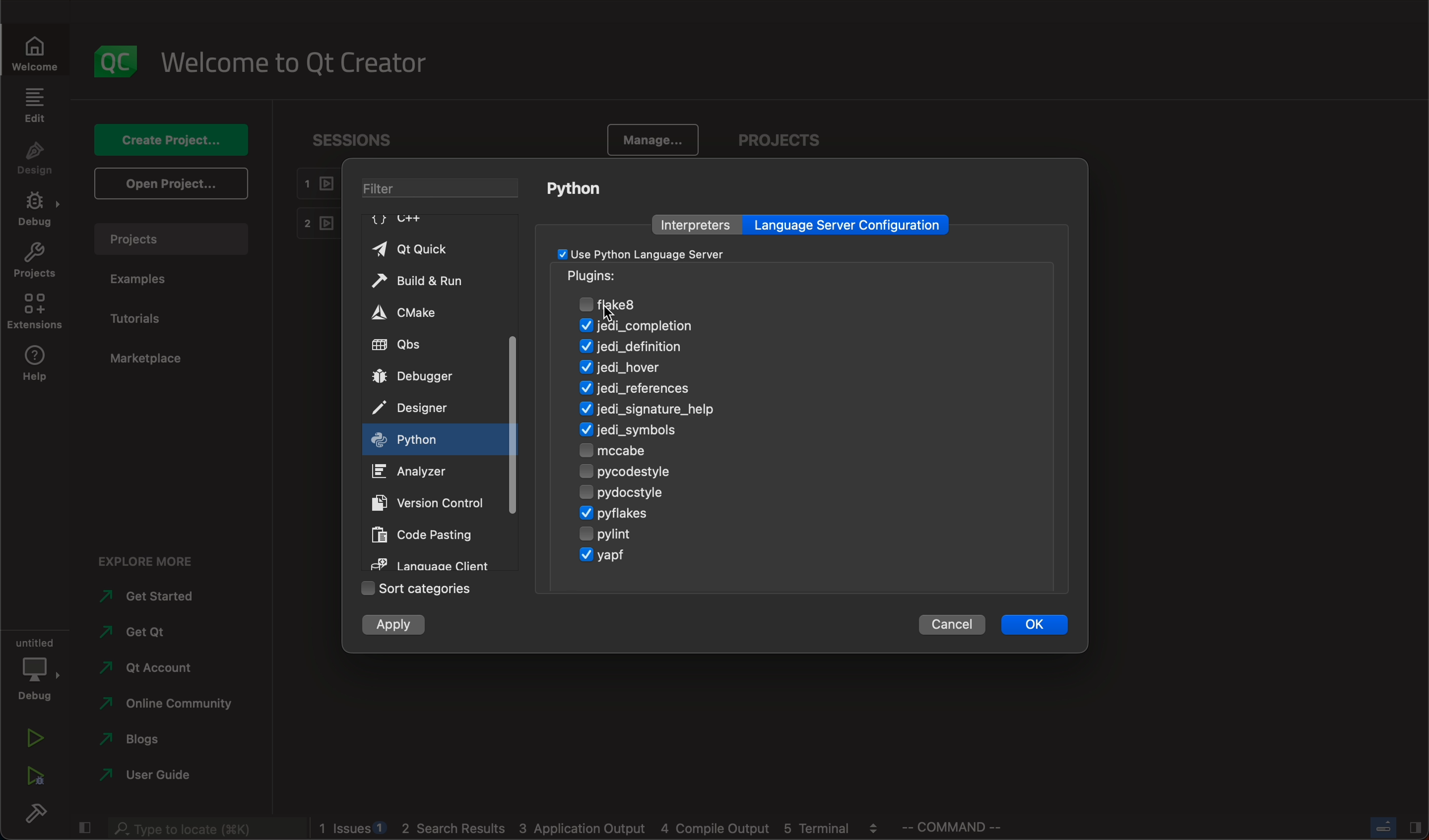 Image resolution: width=1429 pixels, height=840 pixels. What do you see at coordinates (425, 278) in the screenshot?
I see `build and run` at bounding box center [425, 278].